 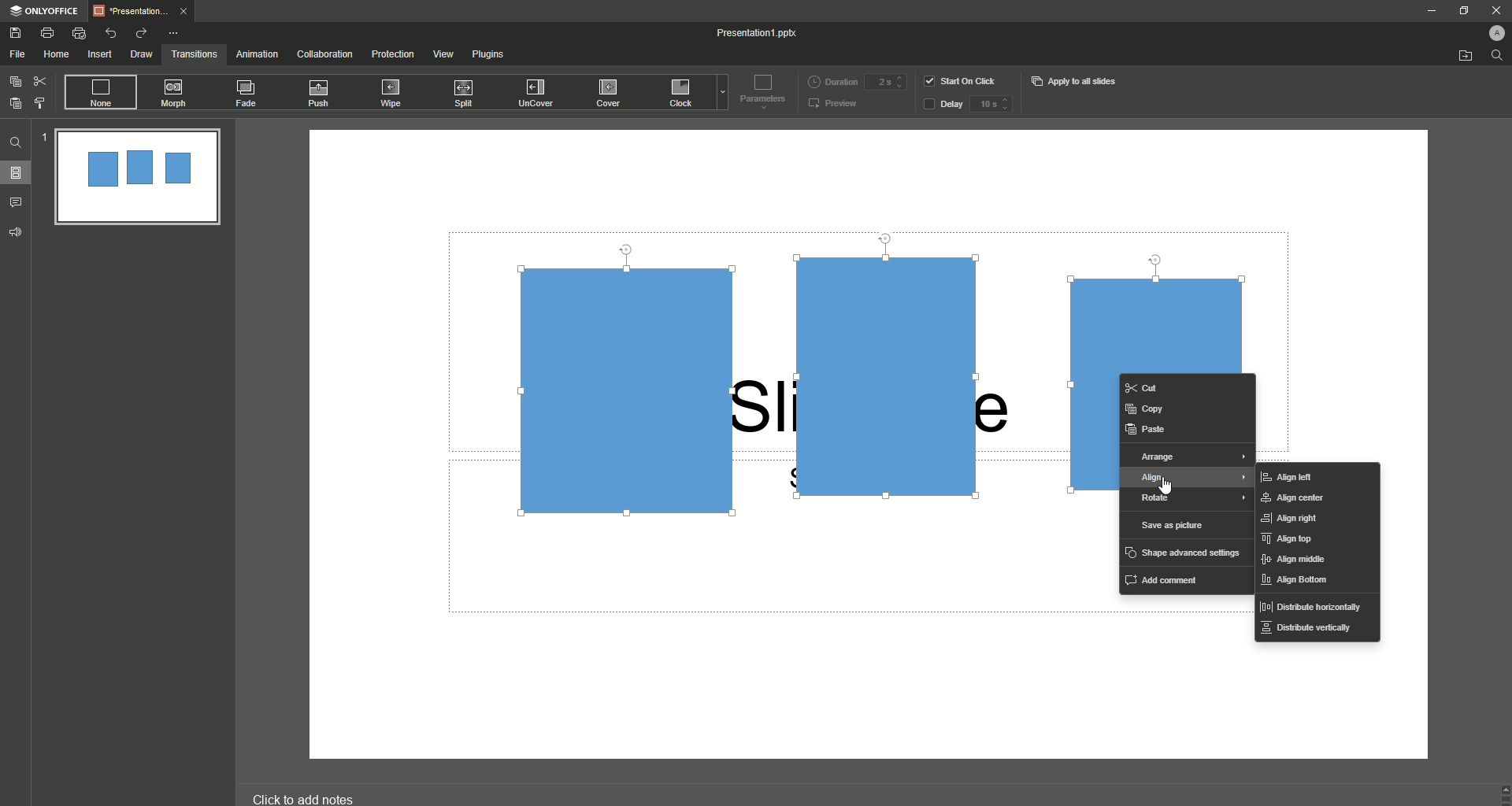 What do you see at coordinates (1489, 31) in the screenshot?
I see `Profile` at bounding box center [1489, 31].